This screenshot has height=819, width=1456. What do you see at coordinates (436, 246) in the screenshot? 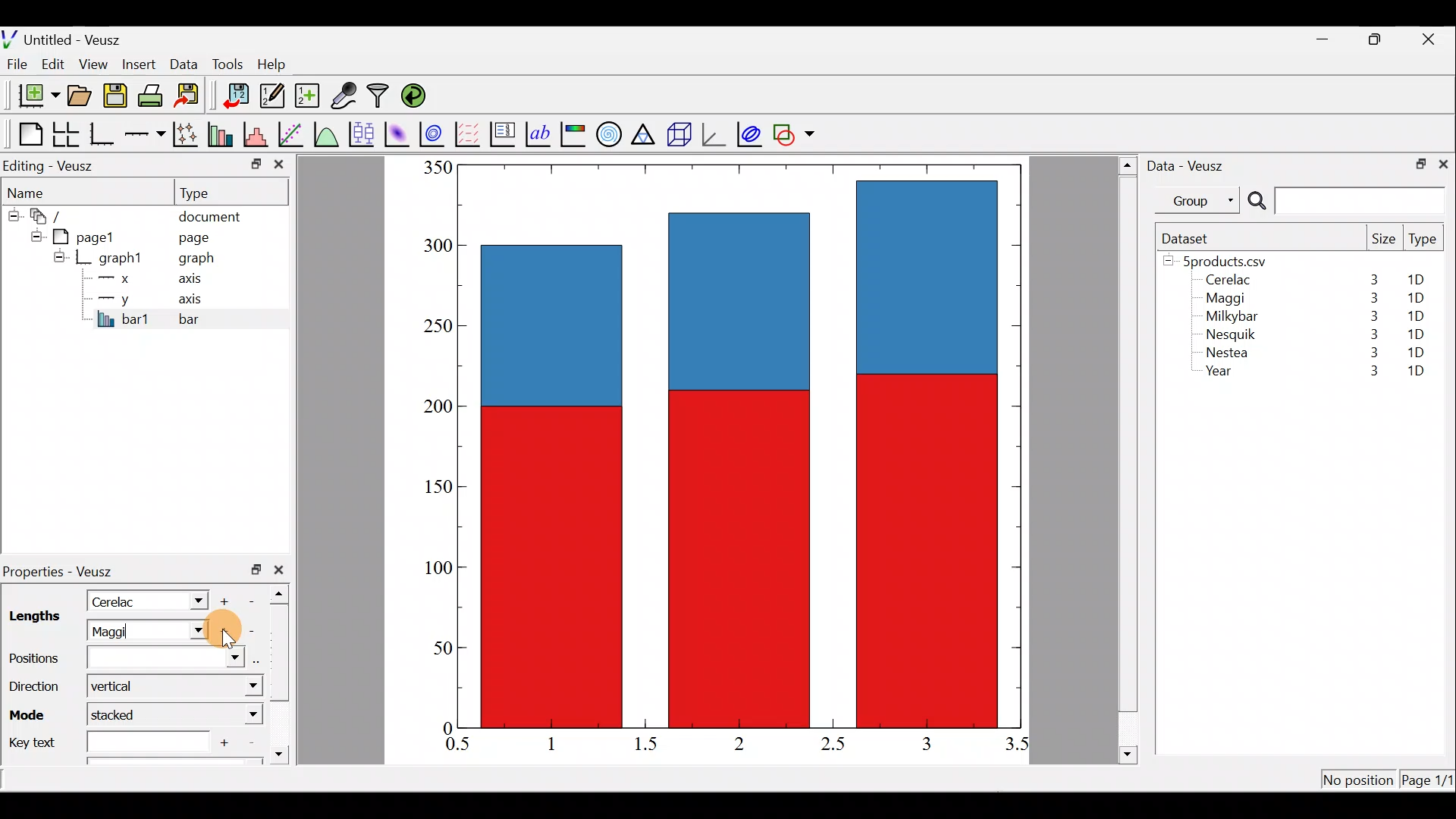
I see `300` at bounding box center [436, 246].